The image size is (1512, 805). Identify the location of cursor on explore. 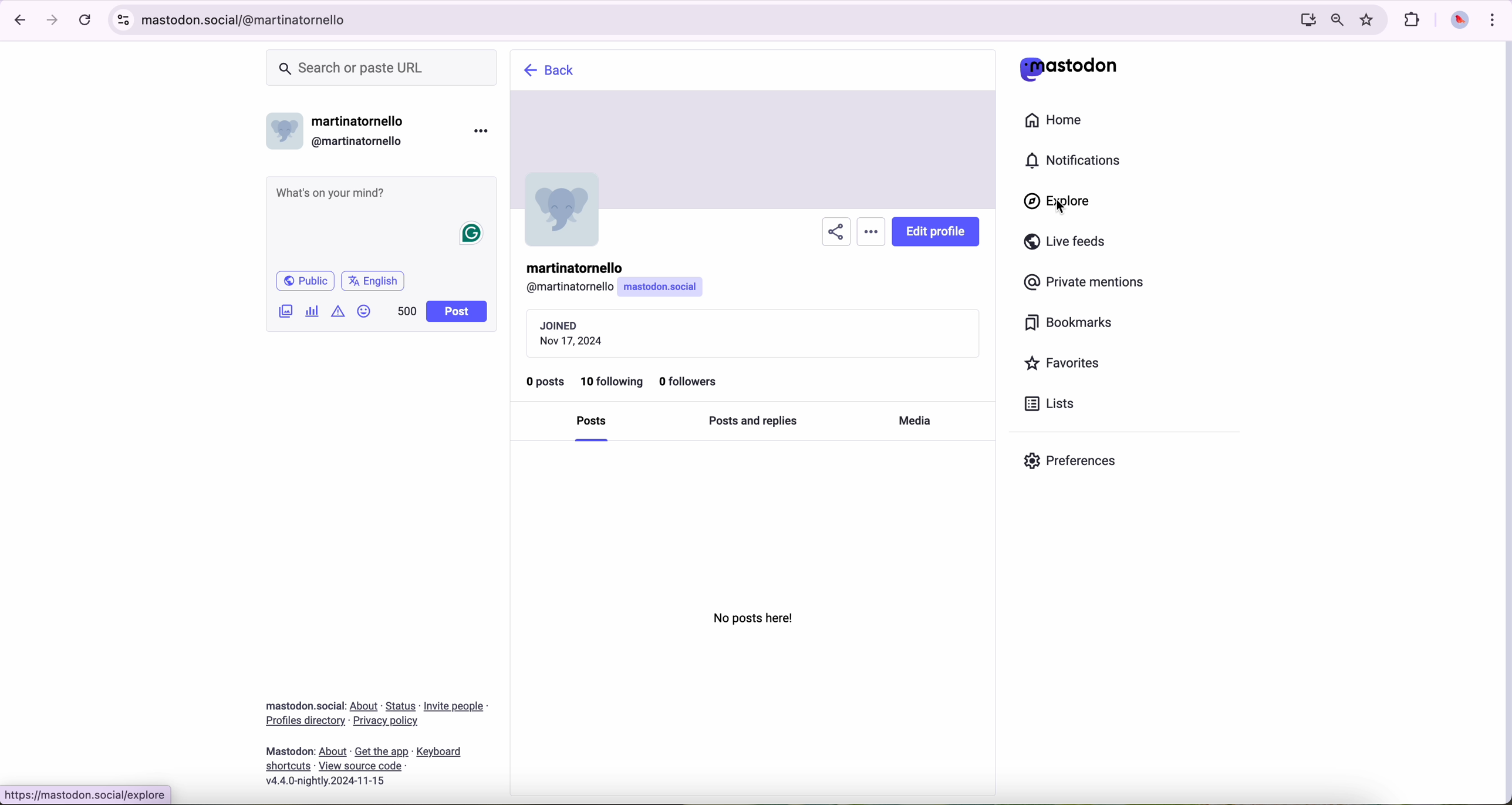
(1057, 203).